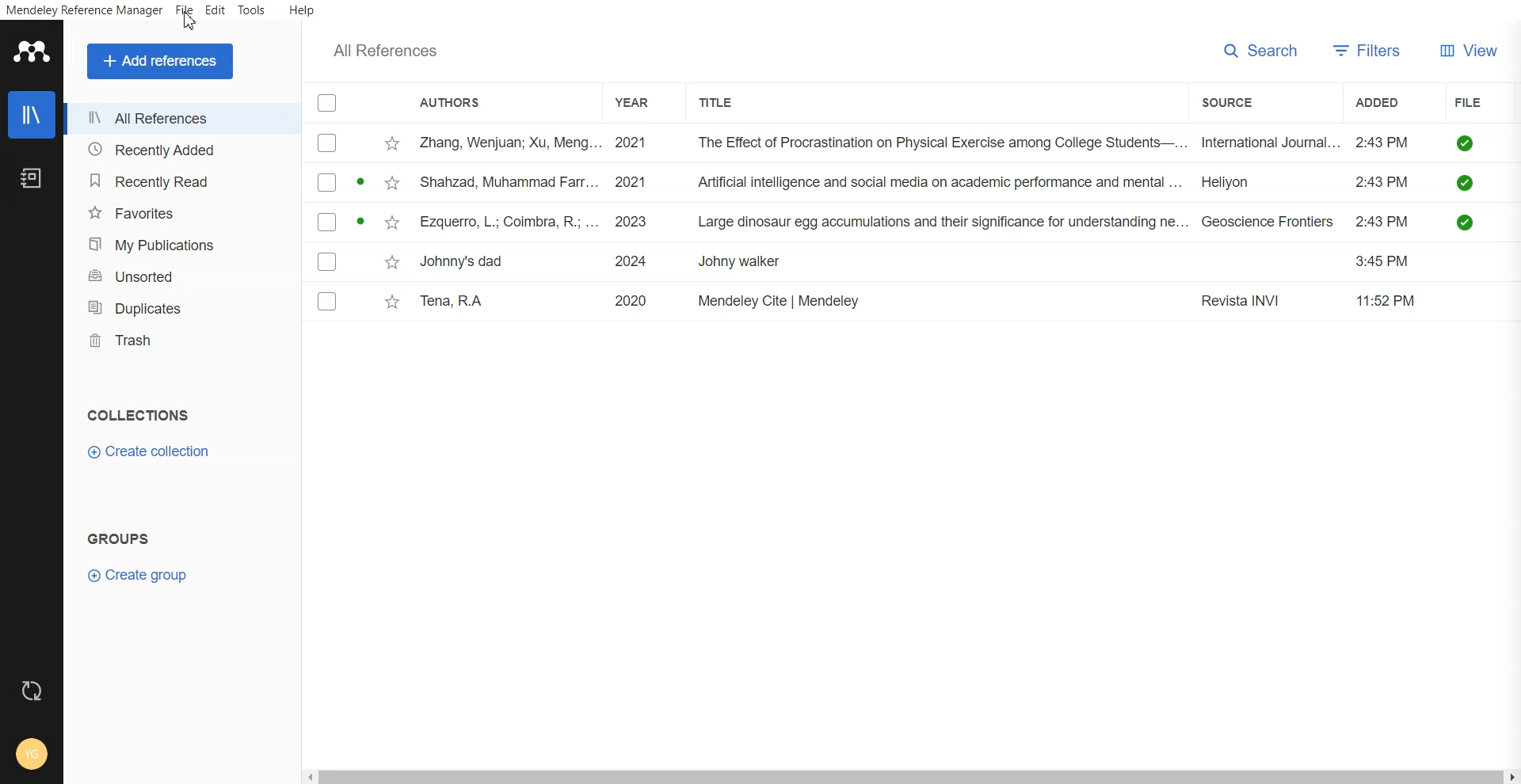 The image size is (1521, 784). What do you see at coordinates (151, 451) in the screenshot?
I see `Create Collection` at bounding box center [151, 451].